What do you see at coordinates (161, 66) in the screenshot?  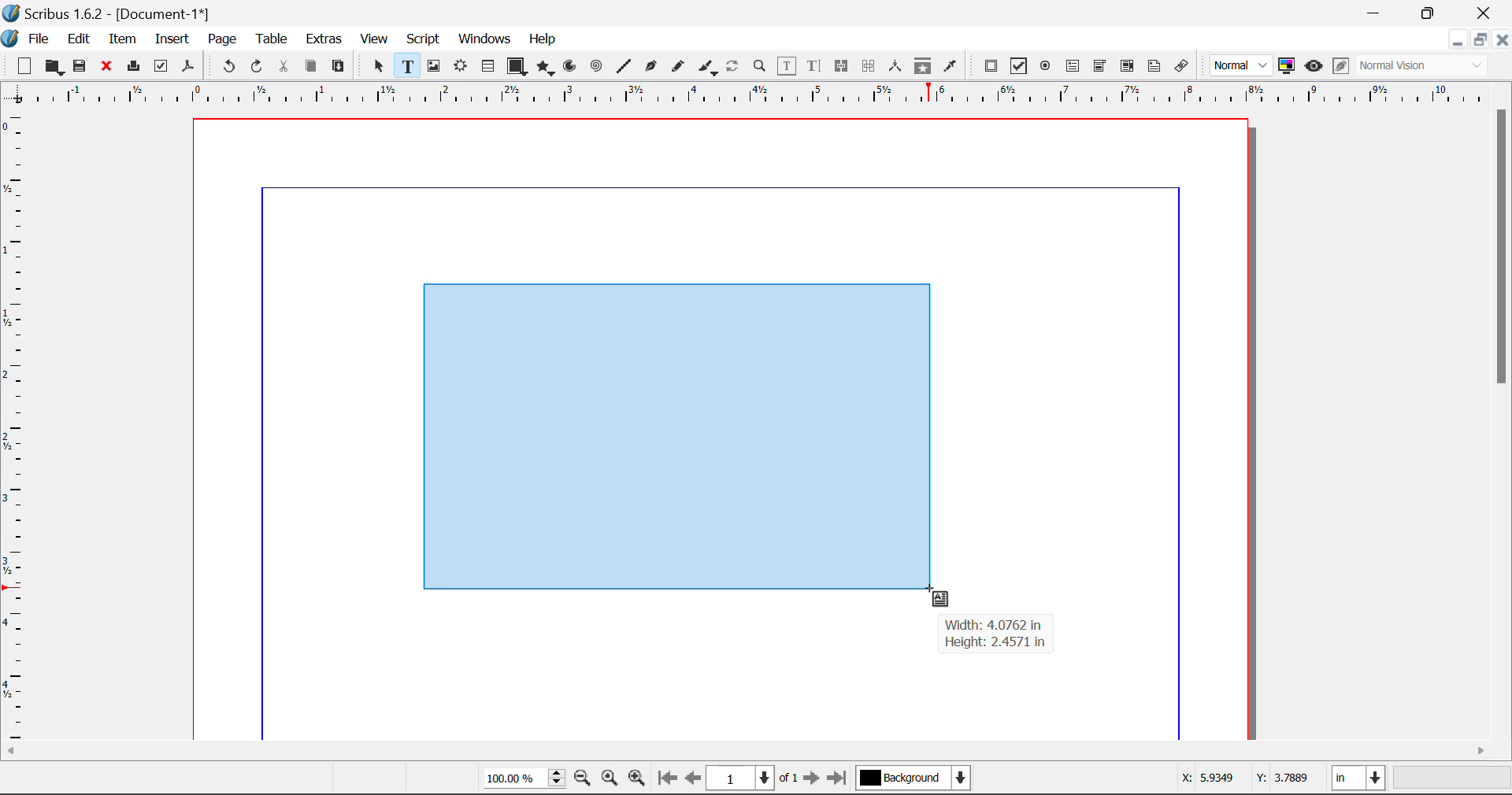 I see `Pre-flight Verifier` at bounding box center [161, 66].